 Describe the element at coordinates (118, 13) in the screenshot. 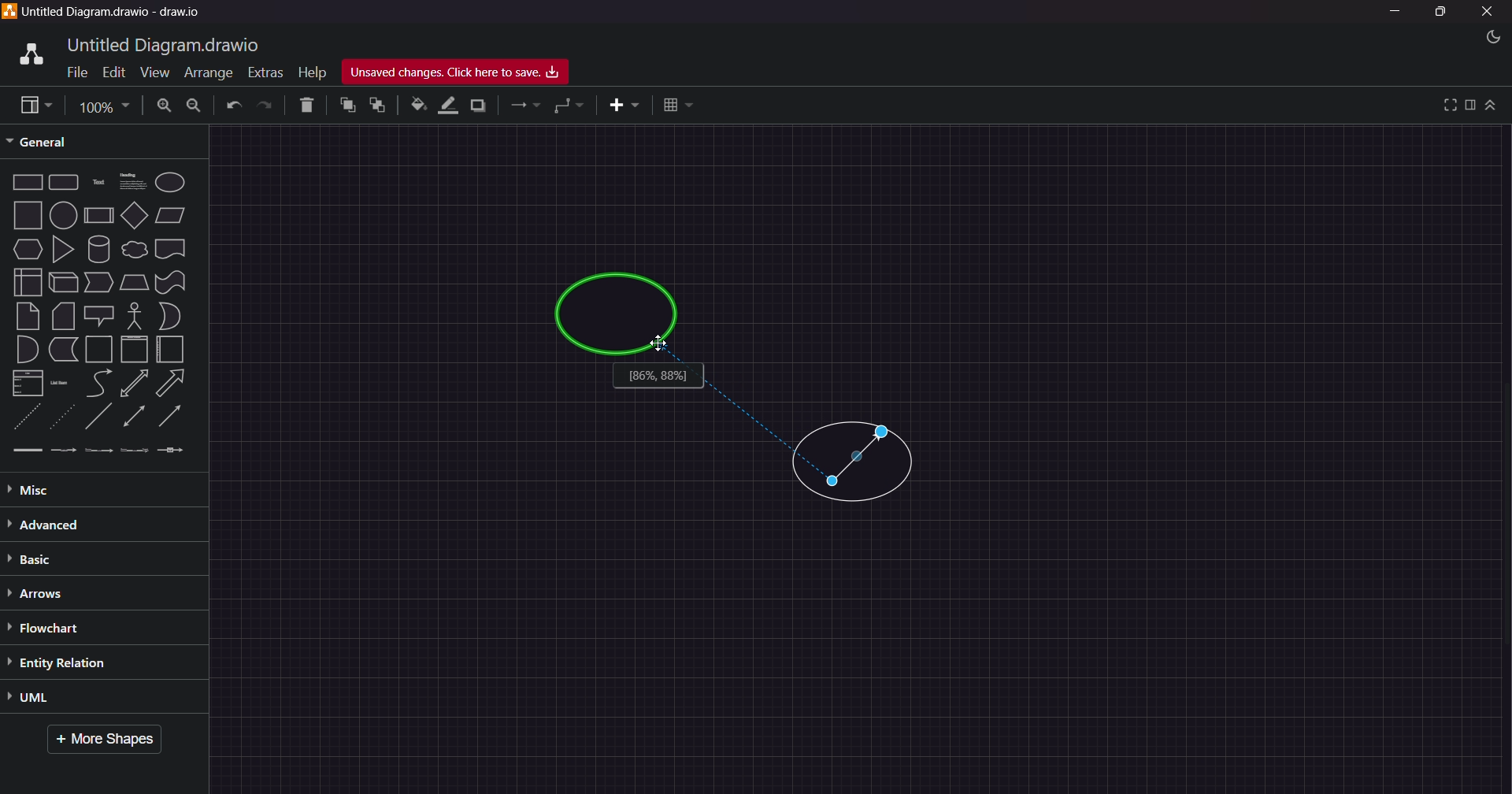

I see `Title` at that location.